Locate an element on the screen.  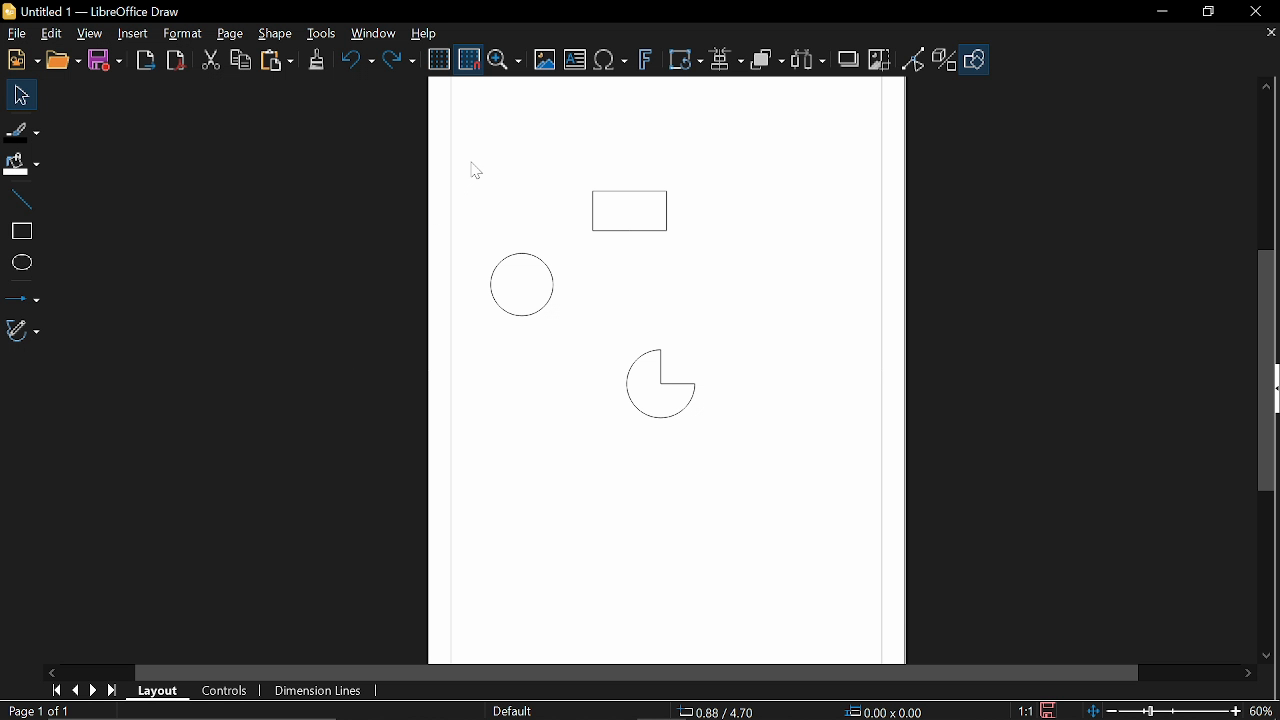
Minimize is located at coordinates (1161, 11).